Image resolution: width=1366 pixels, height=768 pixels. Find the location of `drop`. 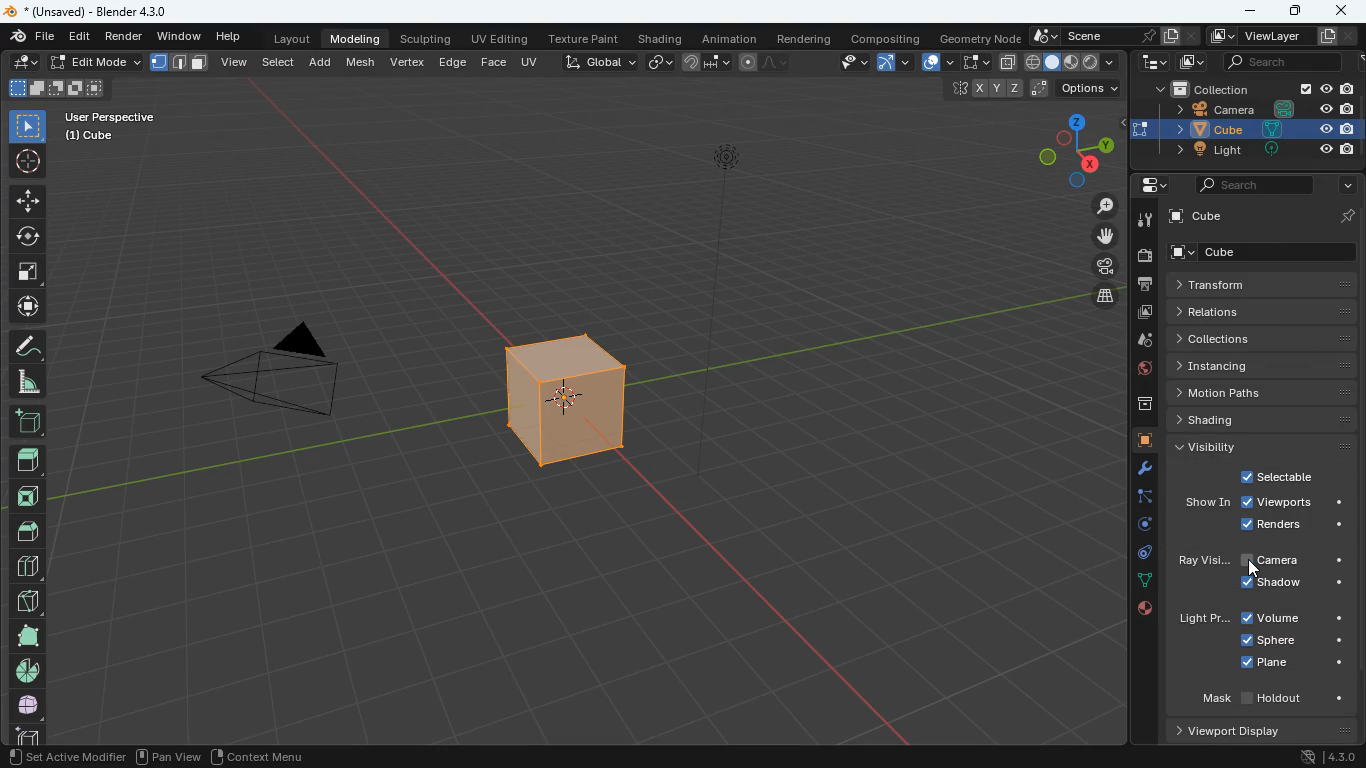

drop is located at coordinates (1141, 340).